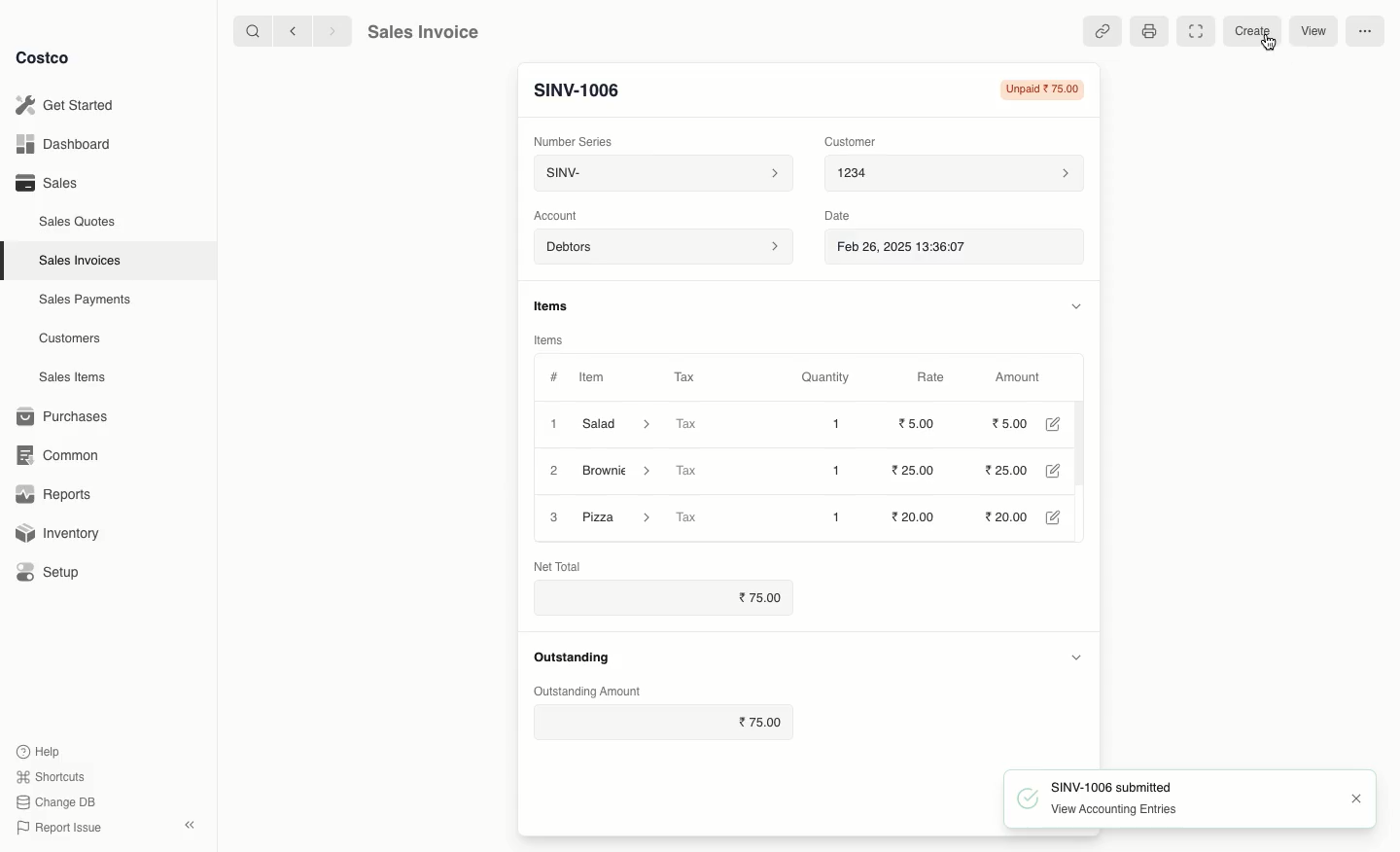  I want to click on Net Total, so click(559, 567).